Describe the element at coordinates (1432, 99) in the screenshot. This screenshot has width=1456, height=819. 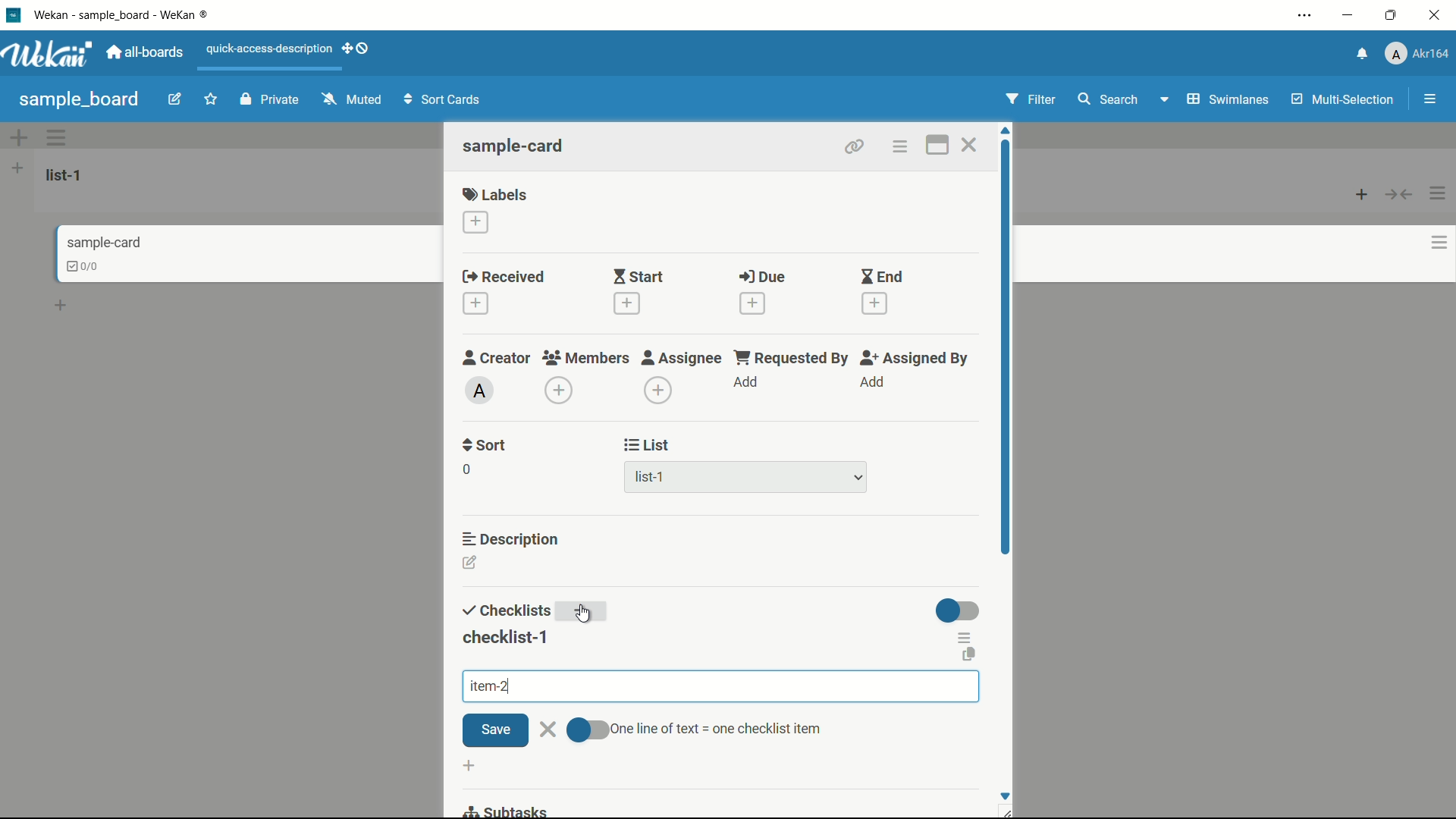
I see `show/hide sidebar` at that location.